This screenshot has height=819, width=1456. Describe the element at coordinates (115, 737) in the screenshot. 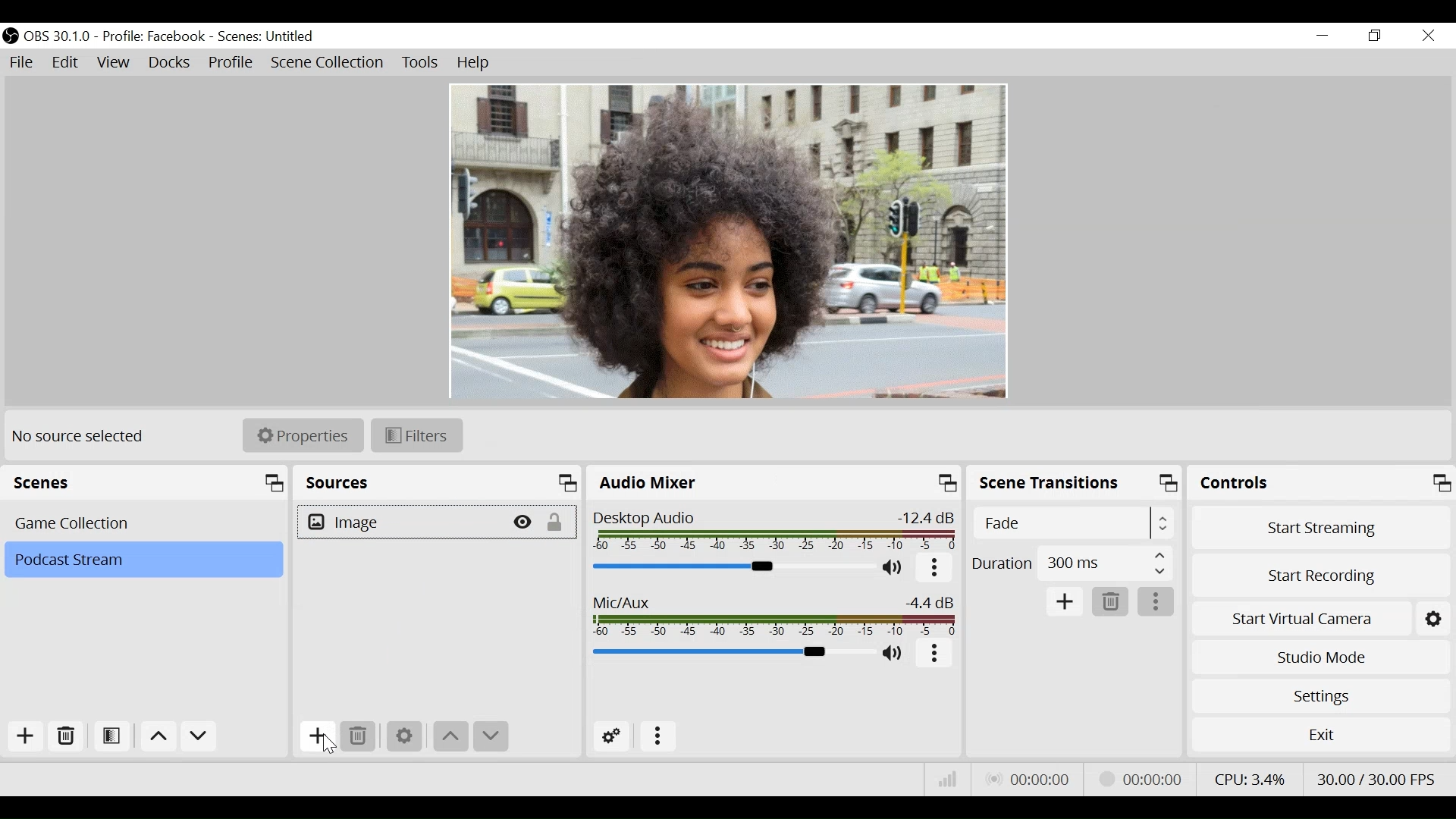

I see `Open Scene Filter` at that location.